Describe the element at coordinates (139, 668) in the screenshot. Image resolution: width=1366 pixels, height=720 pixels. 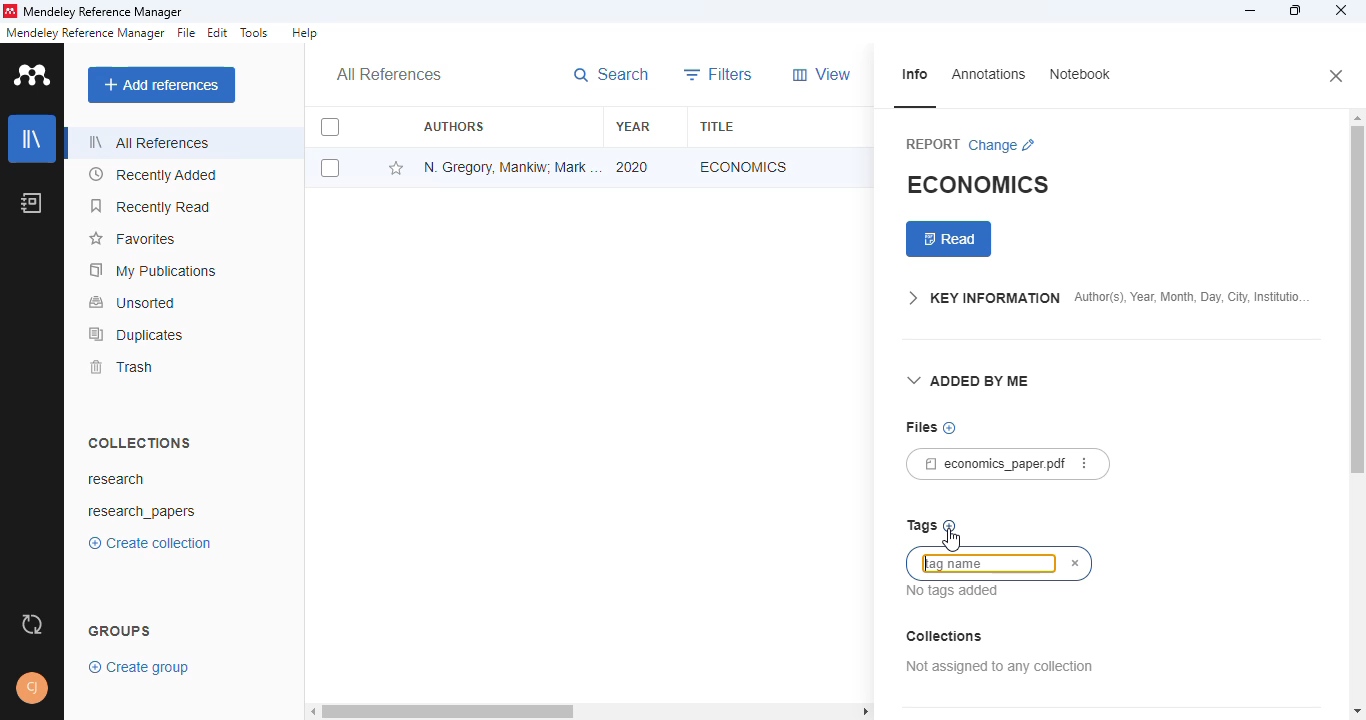
I see `create group` at that location.